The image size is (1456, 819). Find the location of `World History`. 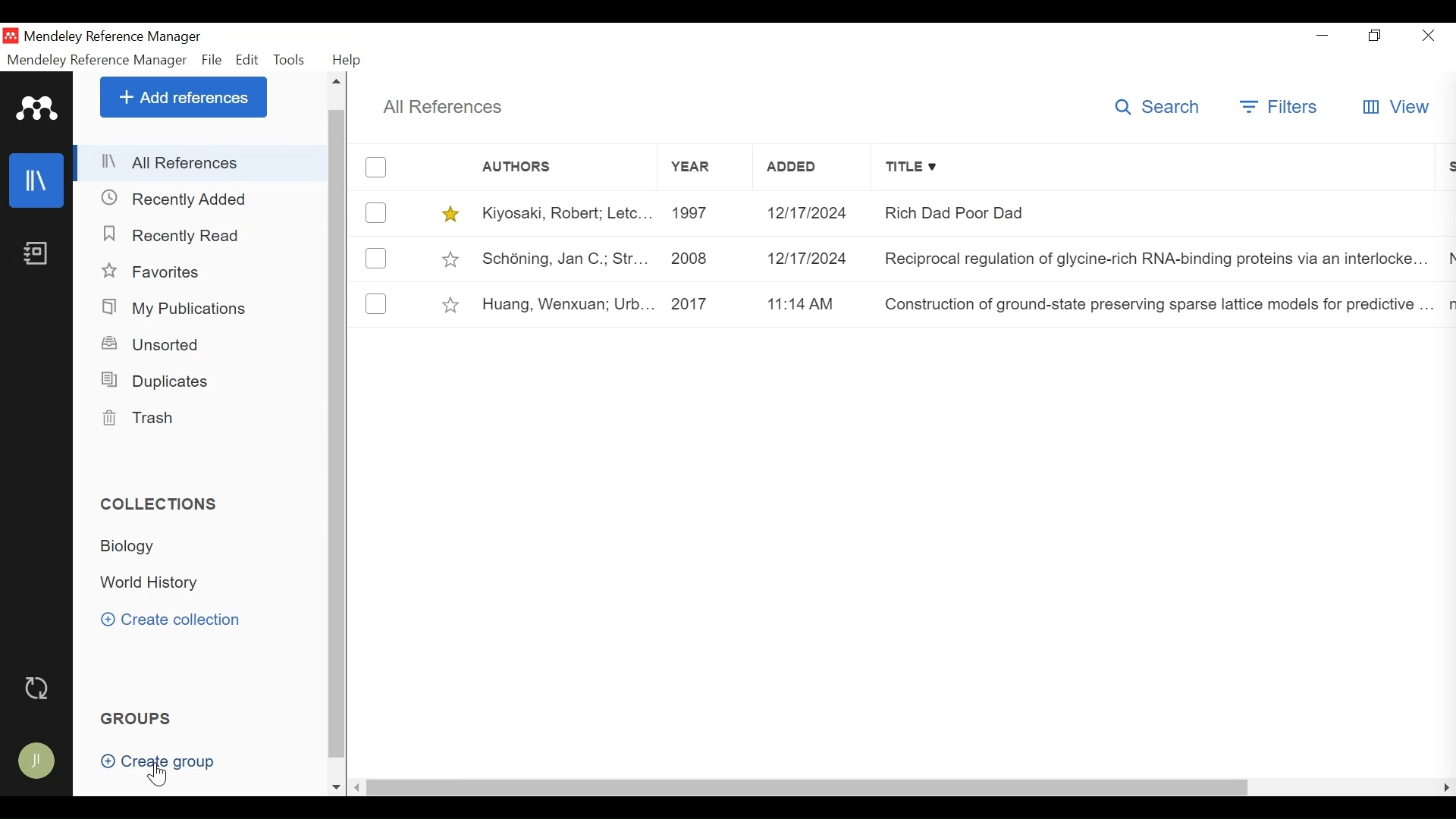

World History is located at coordinates (156, 583).